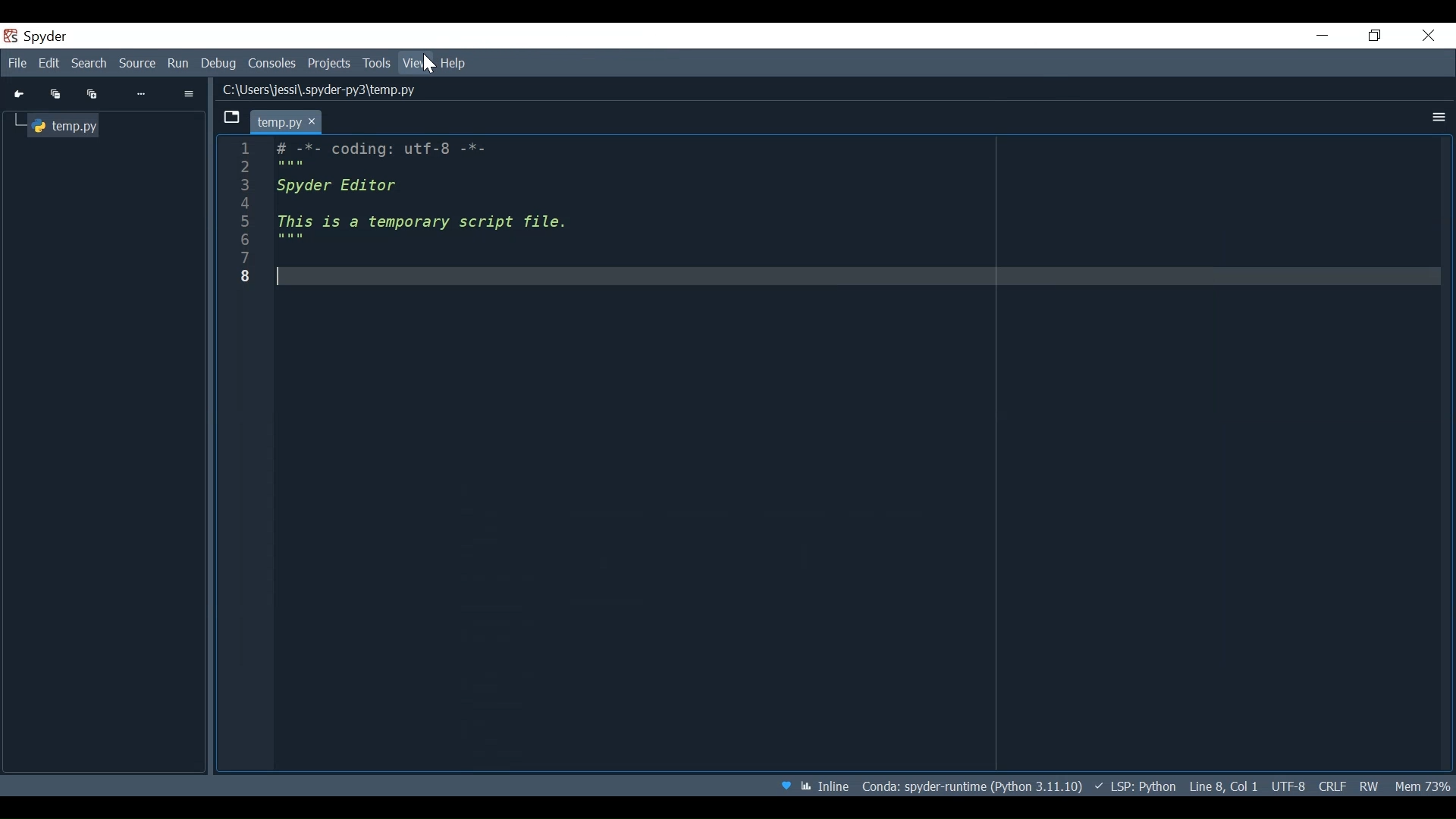 Image resolution: width=1456 pixels, height=819 pixels. What do you see at coordinates (288, 121) in the screenshot?
I see `temp.py` at bounding box center [288, 121].